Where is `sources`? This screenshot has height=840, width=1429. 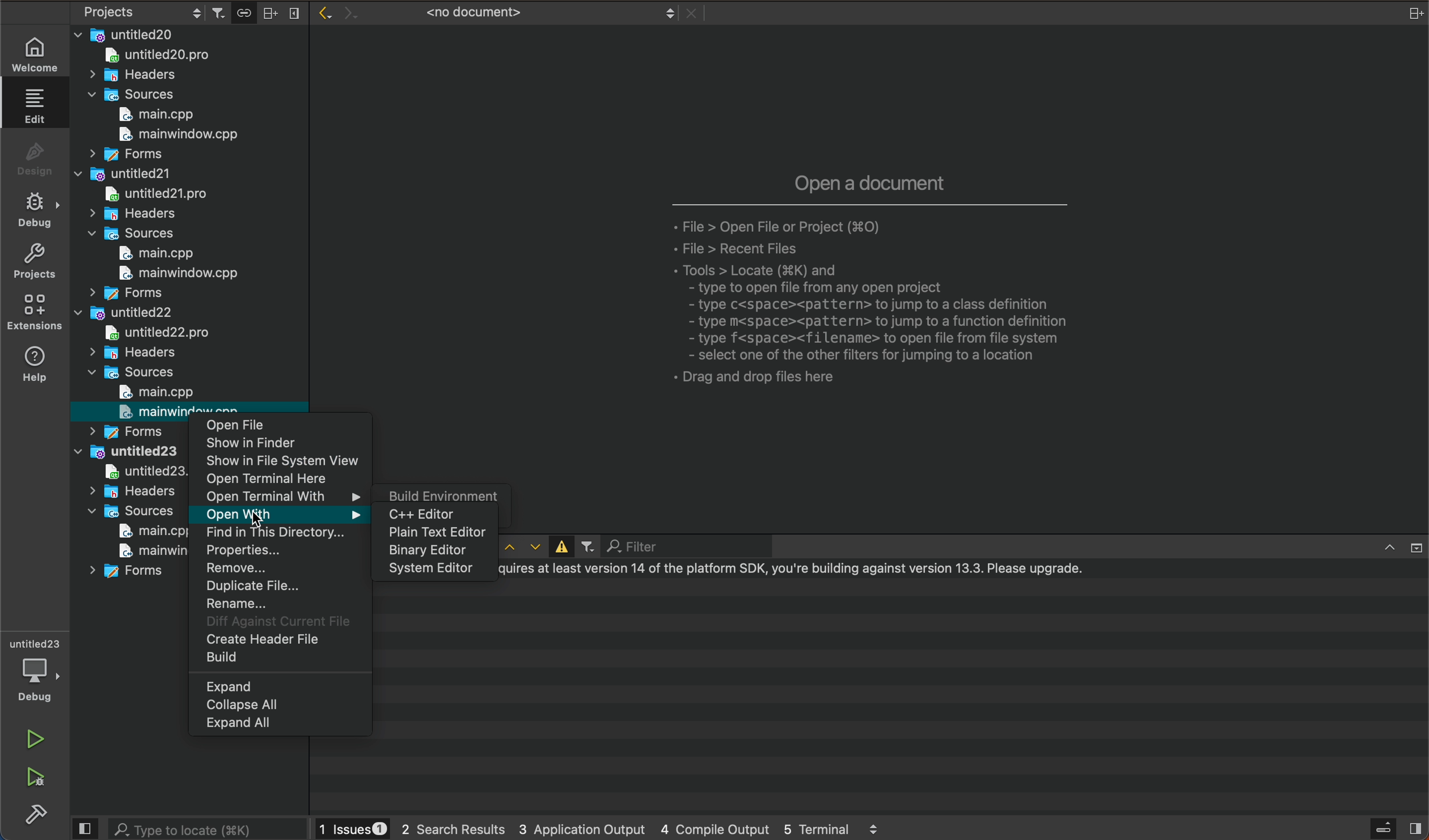 sources is located at coordinates (135, 373).